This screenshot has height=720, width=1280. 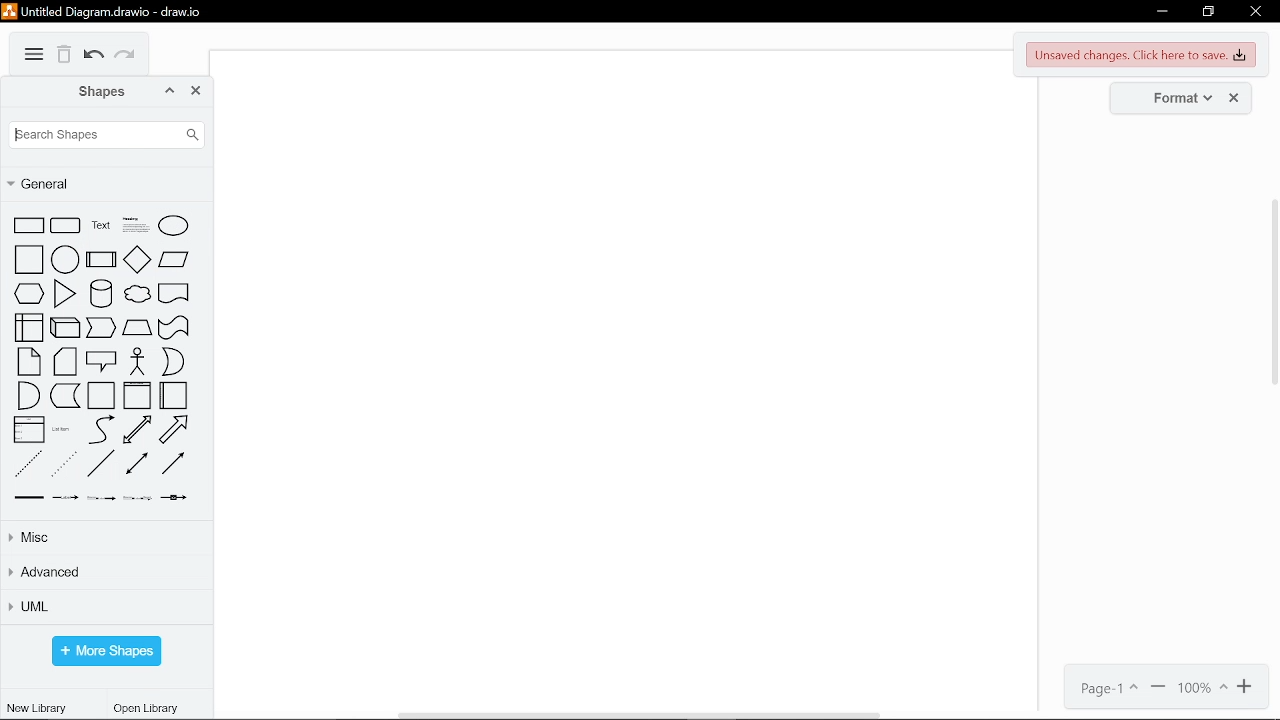 I want to click on or, so click(x=173, y=361).